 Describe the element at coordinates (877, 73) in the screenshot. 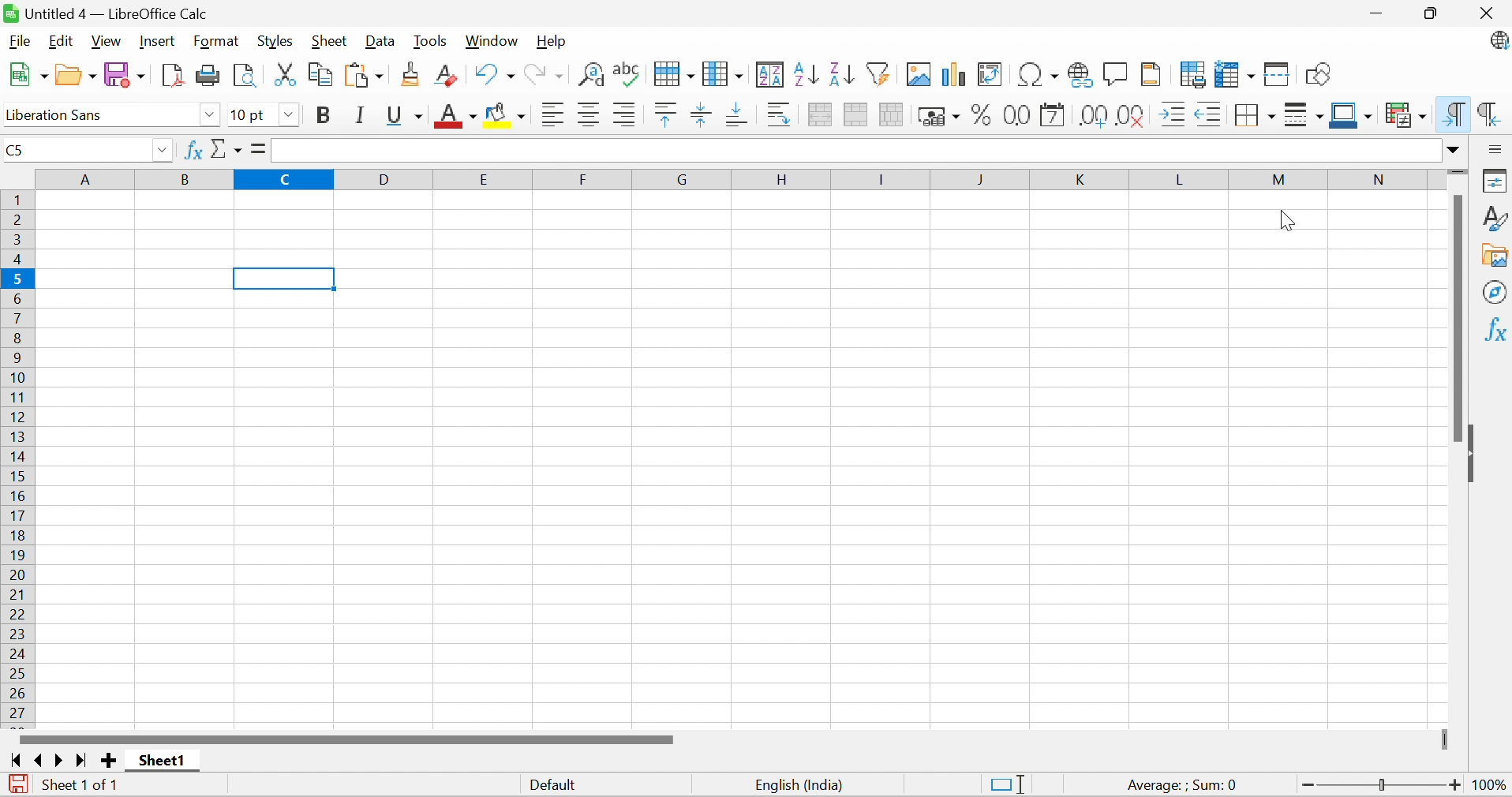

I see `Autofiller` at that location.